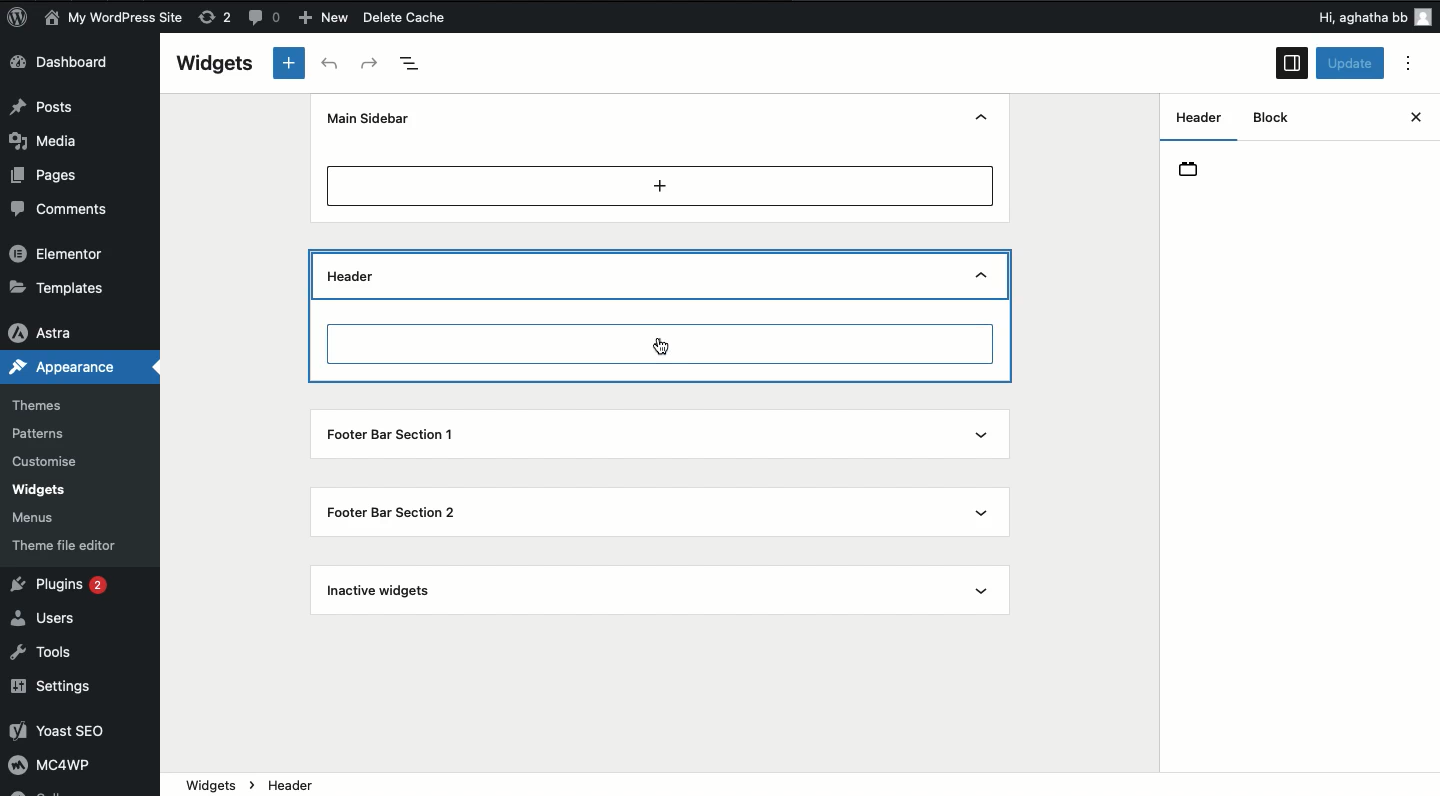  What do you see at coordinates (1286, 205) in the screenshot?
I see `(9 Widget Areas are global parts in
your site's layout that can accept
blocks. These vary by theme, but
are typically parts like your
Sidebar or Footer.` at bounding box center [1286, 205].